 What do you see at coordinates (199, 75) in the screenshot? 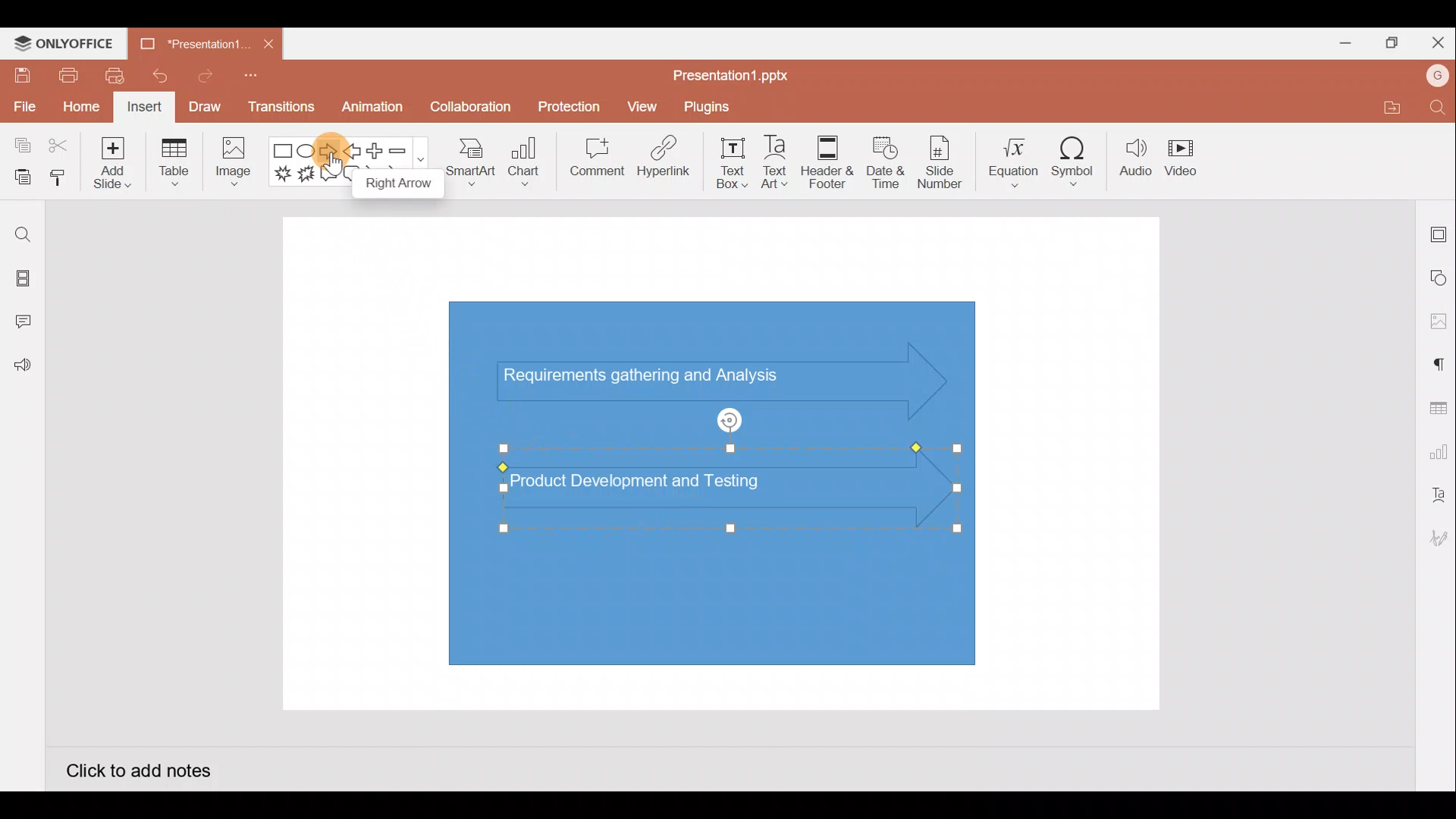
I see `Redo` at bounding box center [199, 75].